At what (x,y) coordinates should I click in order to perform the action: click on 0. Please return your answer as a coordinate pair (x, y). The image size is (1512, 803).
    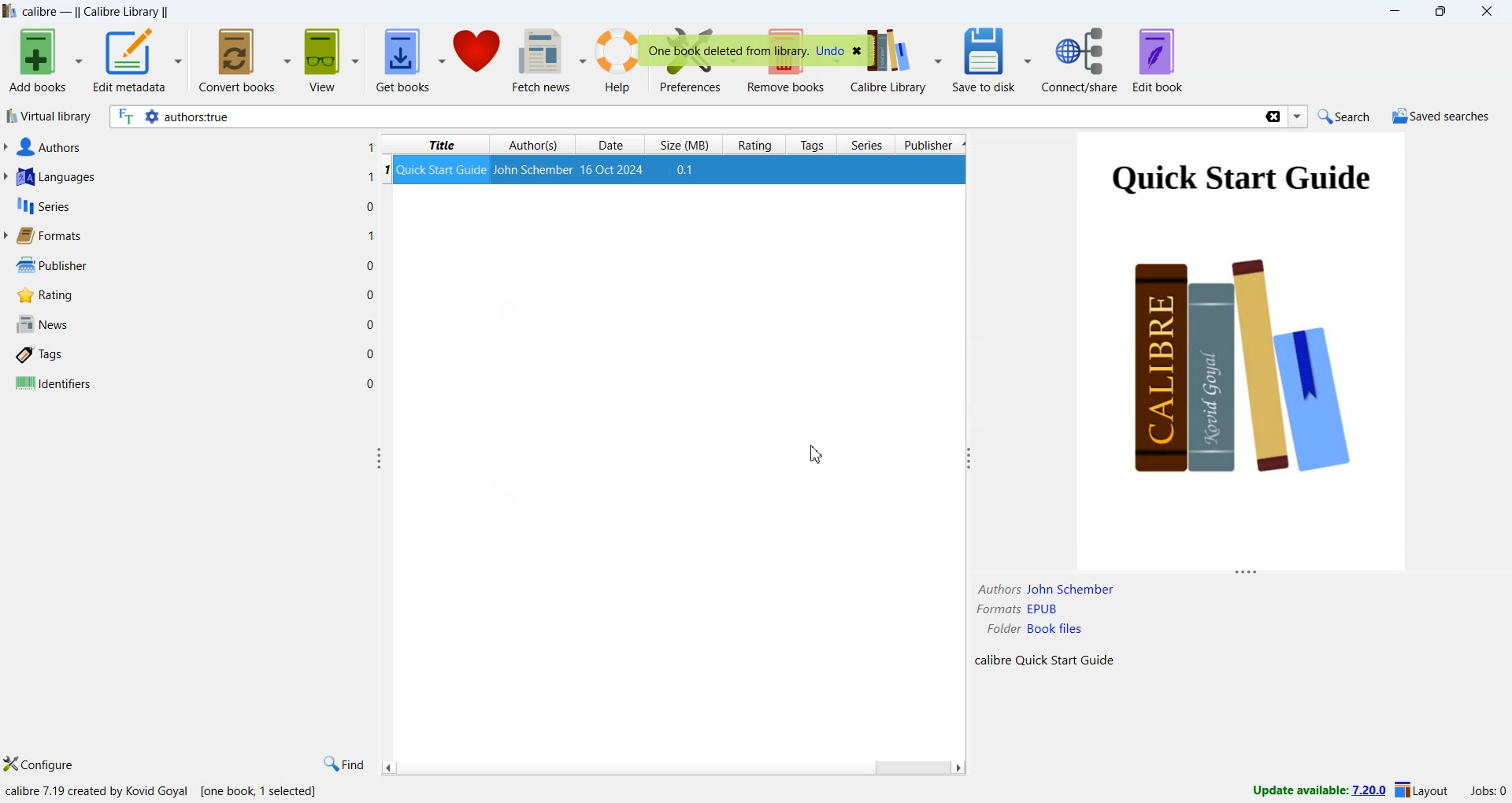
    Looking at the image, I should click on (371, 353).